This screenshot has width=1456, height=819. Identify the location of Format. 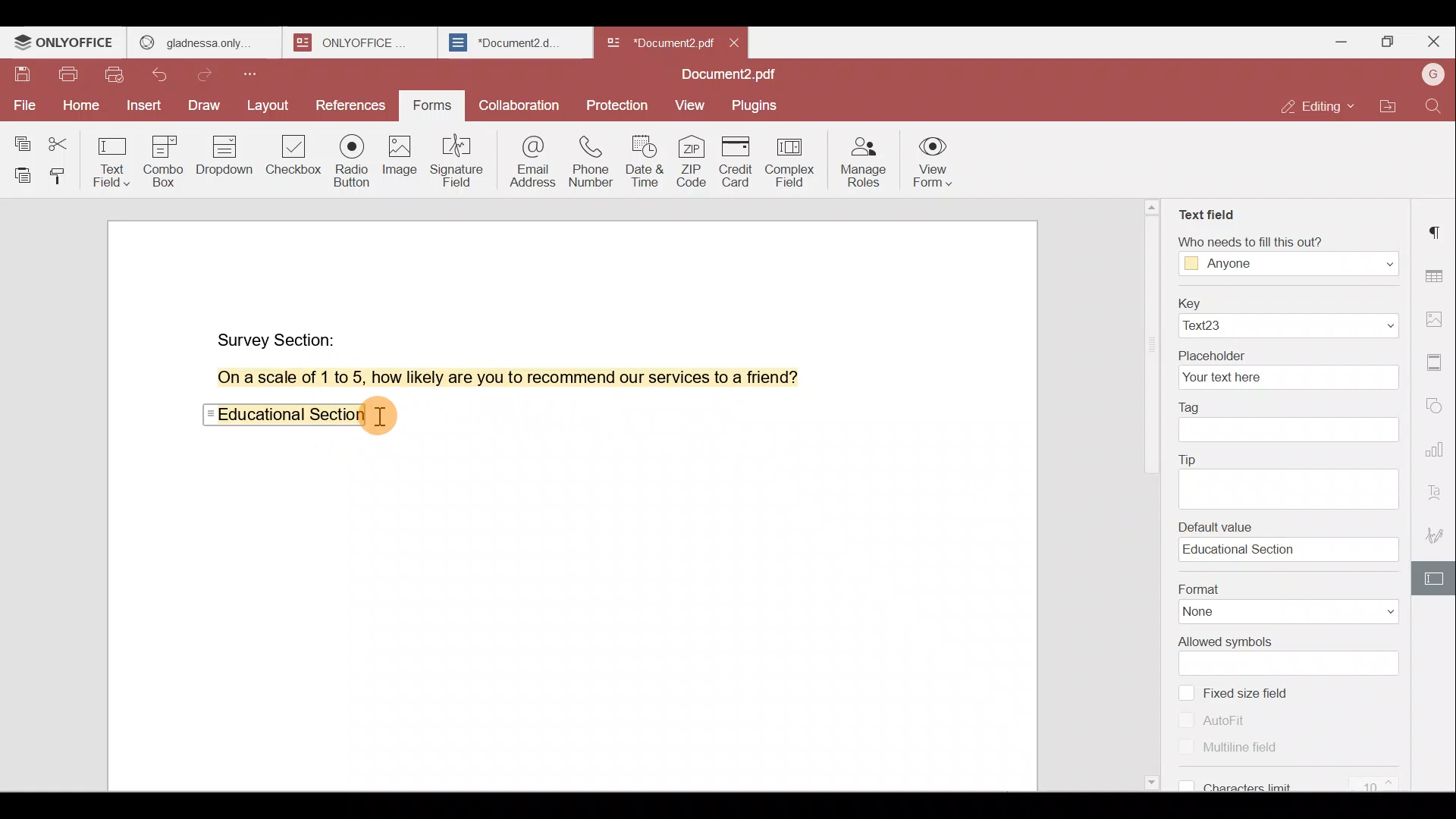
(1283, 600).